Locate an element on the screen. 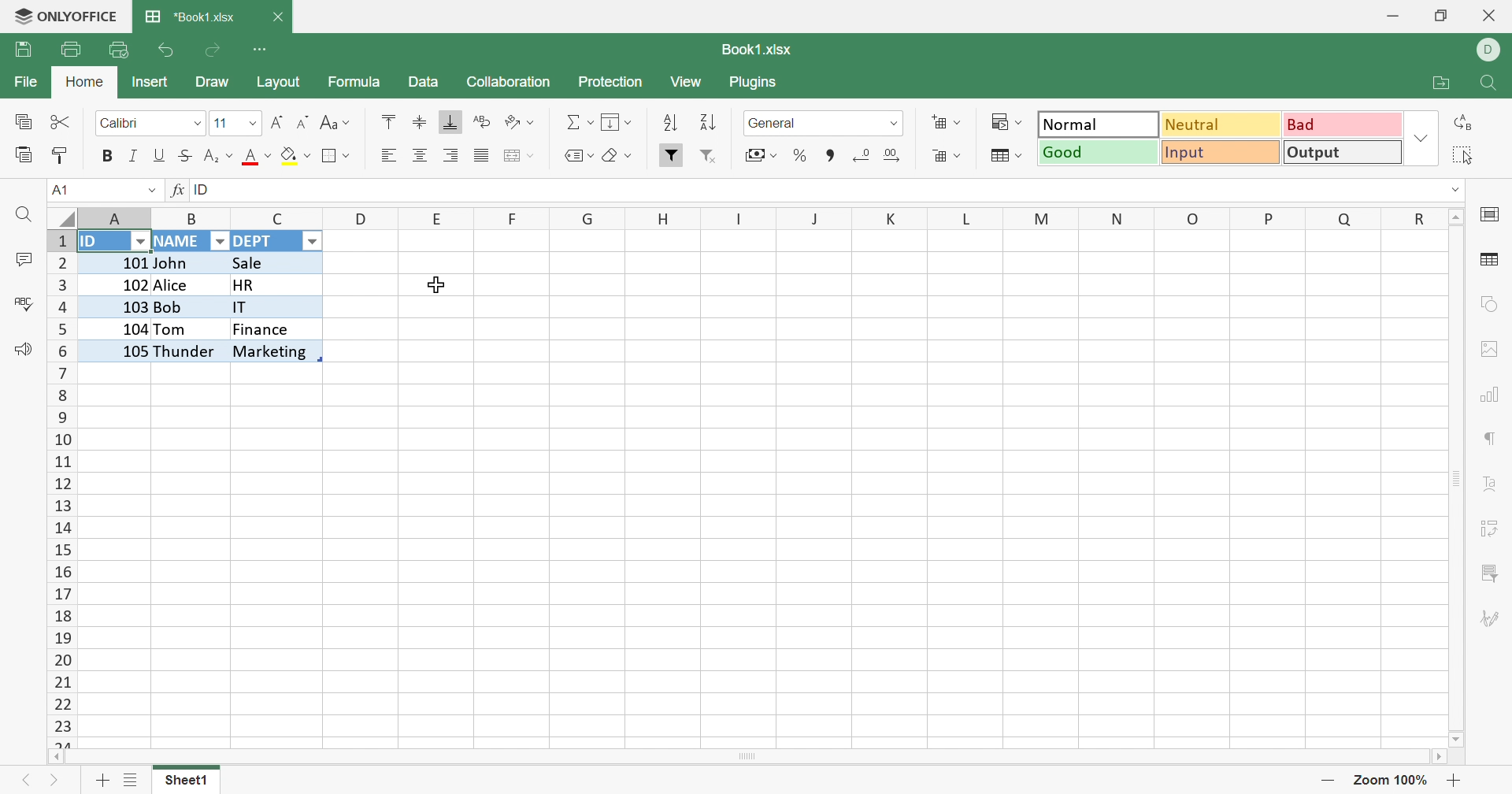 The width and height of the screenshot is (1512, 794). Copy is located at coordinates (24, 122).